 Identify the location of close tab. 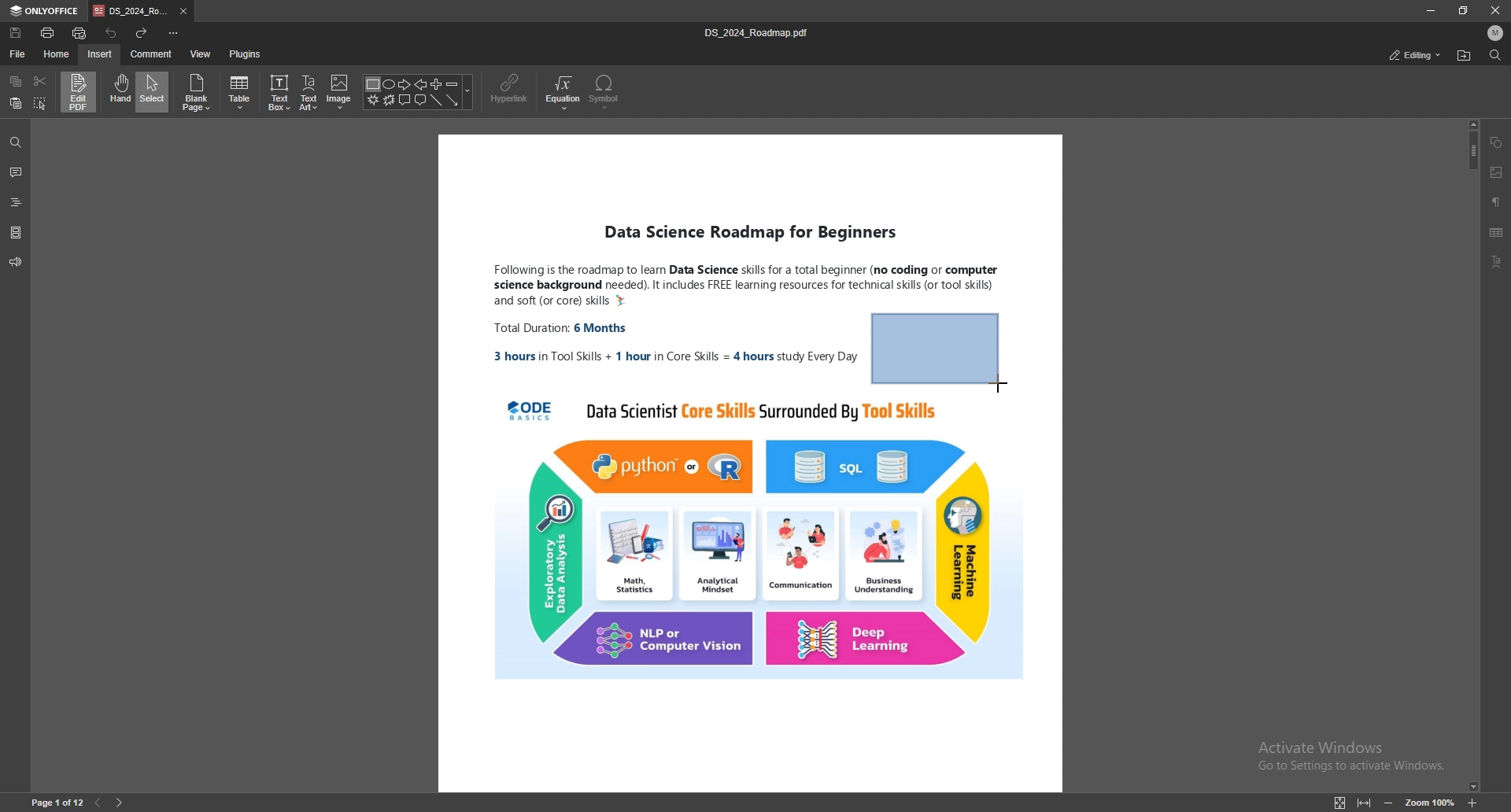
(184, 12).